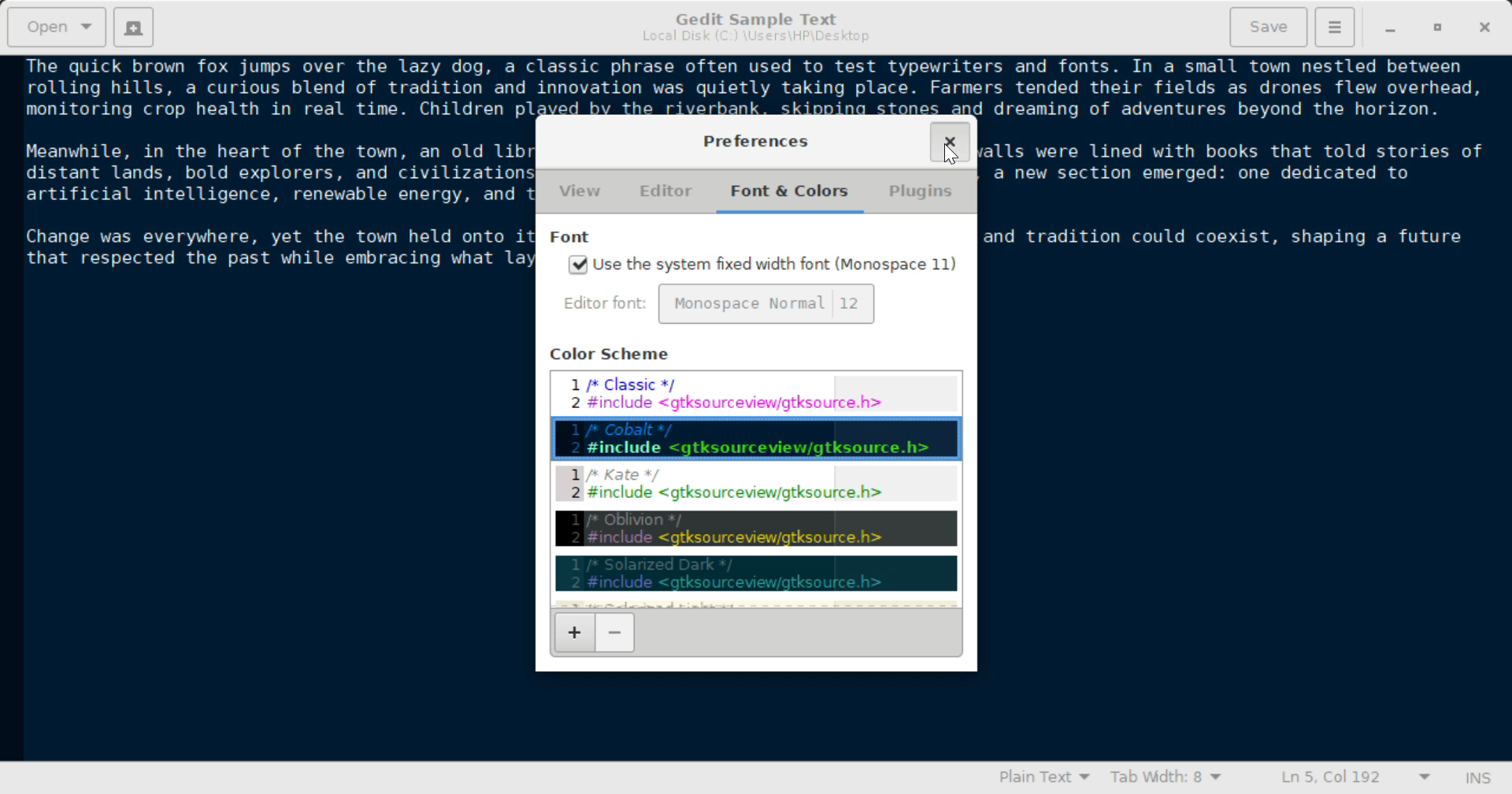 The image size is (1512, 794). What do you see at coordinates (614, 633) in the screenshot?
I see `Remove Scheme` at bounding box center [614, 633].